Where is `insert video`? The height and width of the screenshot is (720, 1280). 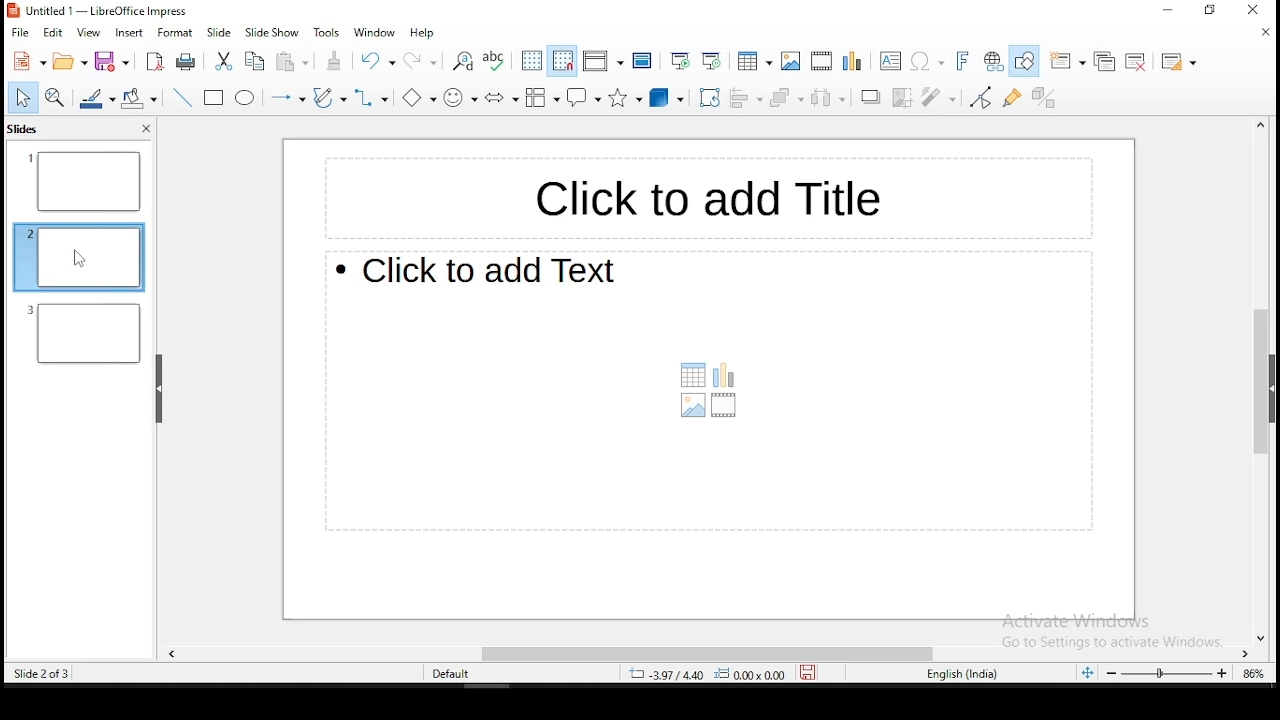
insert video is located at coordinates (821, 59).